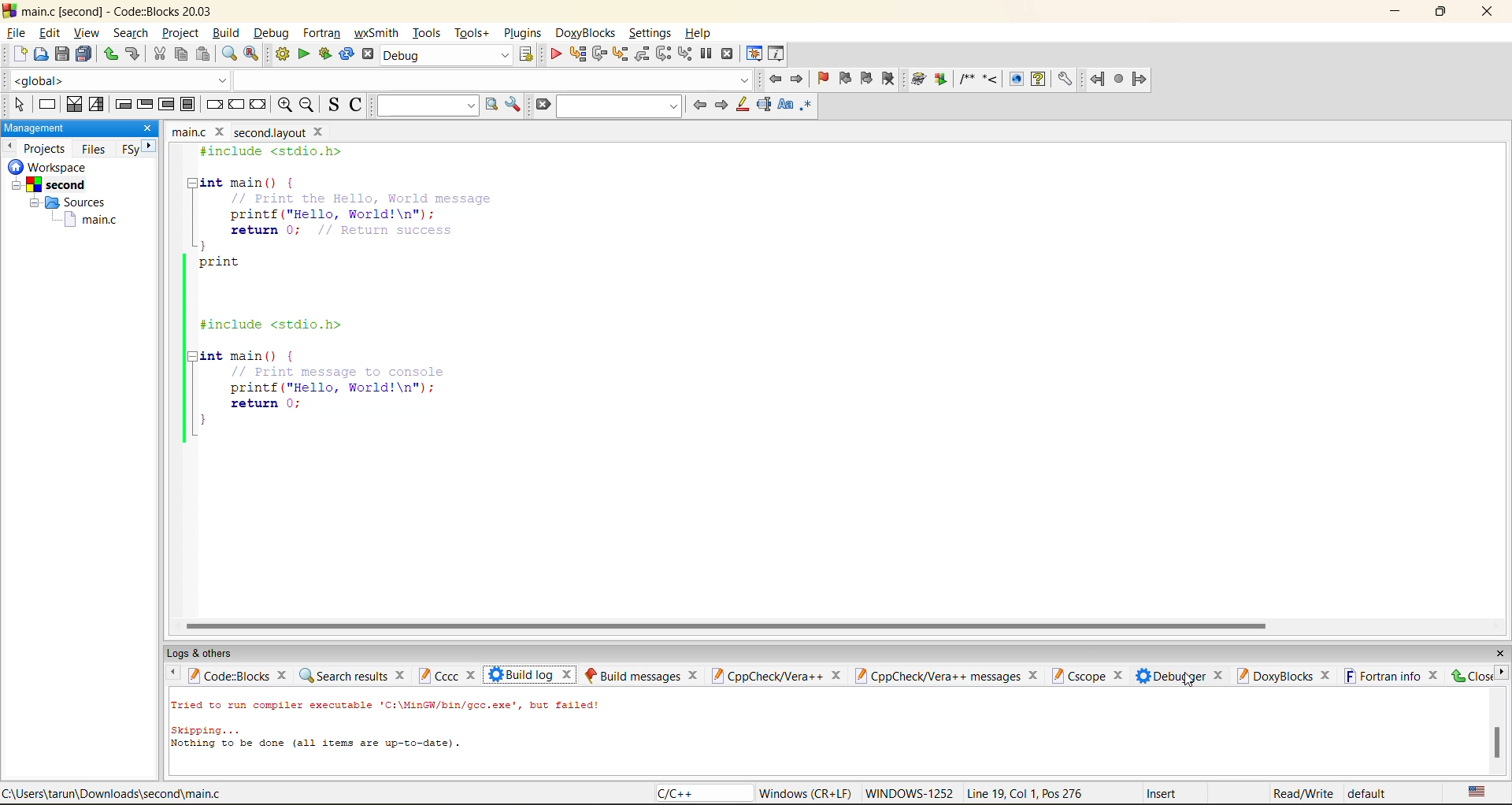 The height and width of the screenshot is (805, 1512). I want to click on decision, so click(74, 106).